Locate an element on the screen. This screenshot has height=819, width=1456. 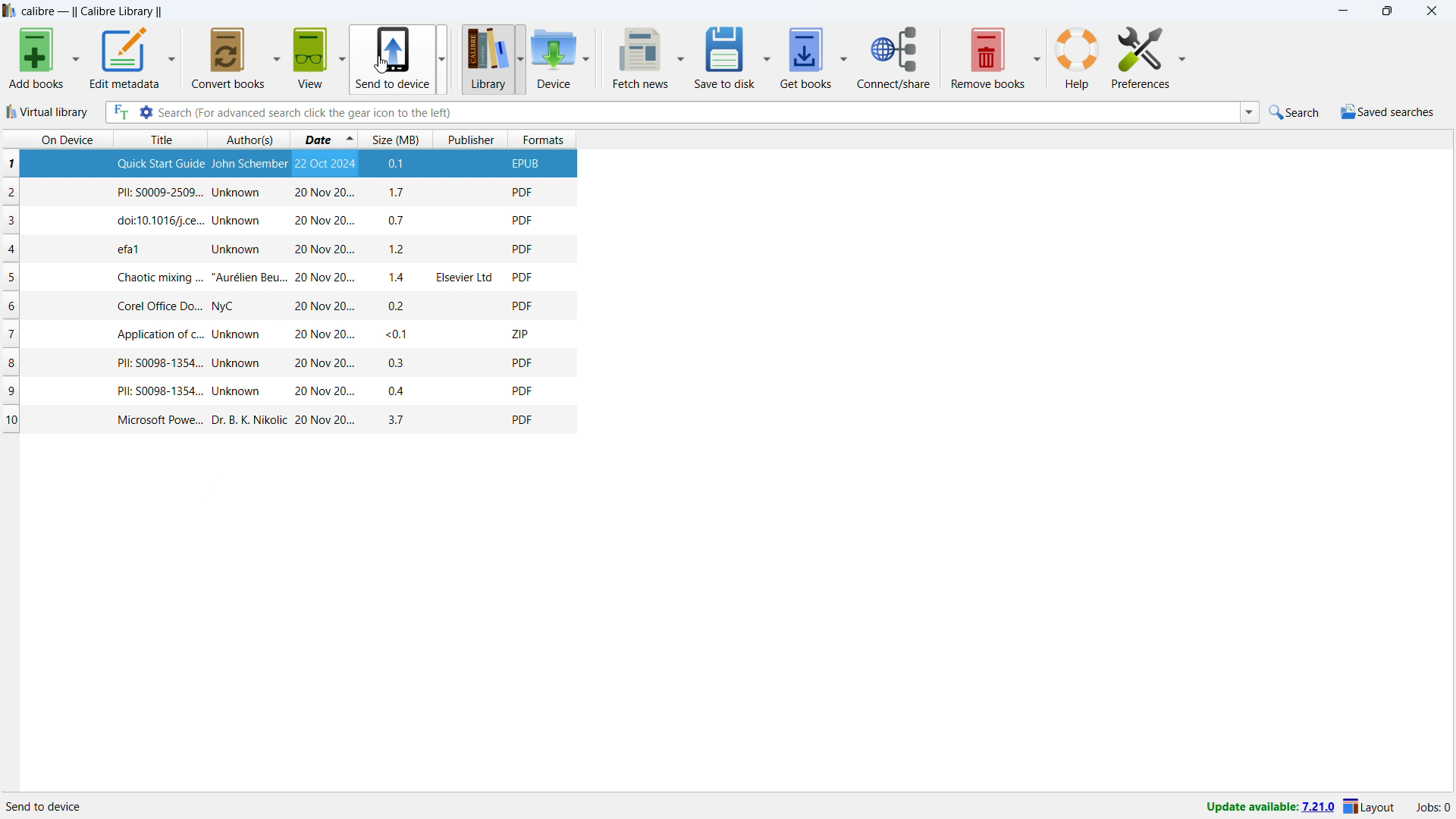
layout is located at coordinates (1370, 808).